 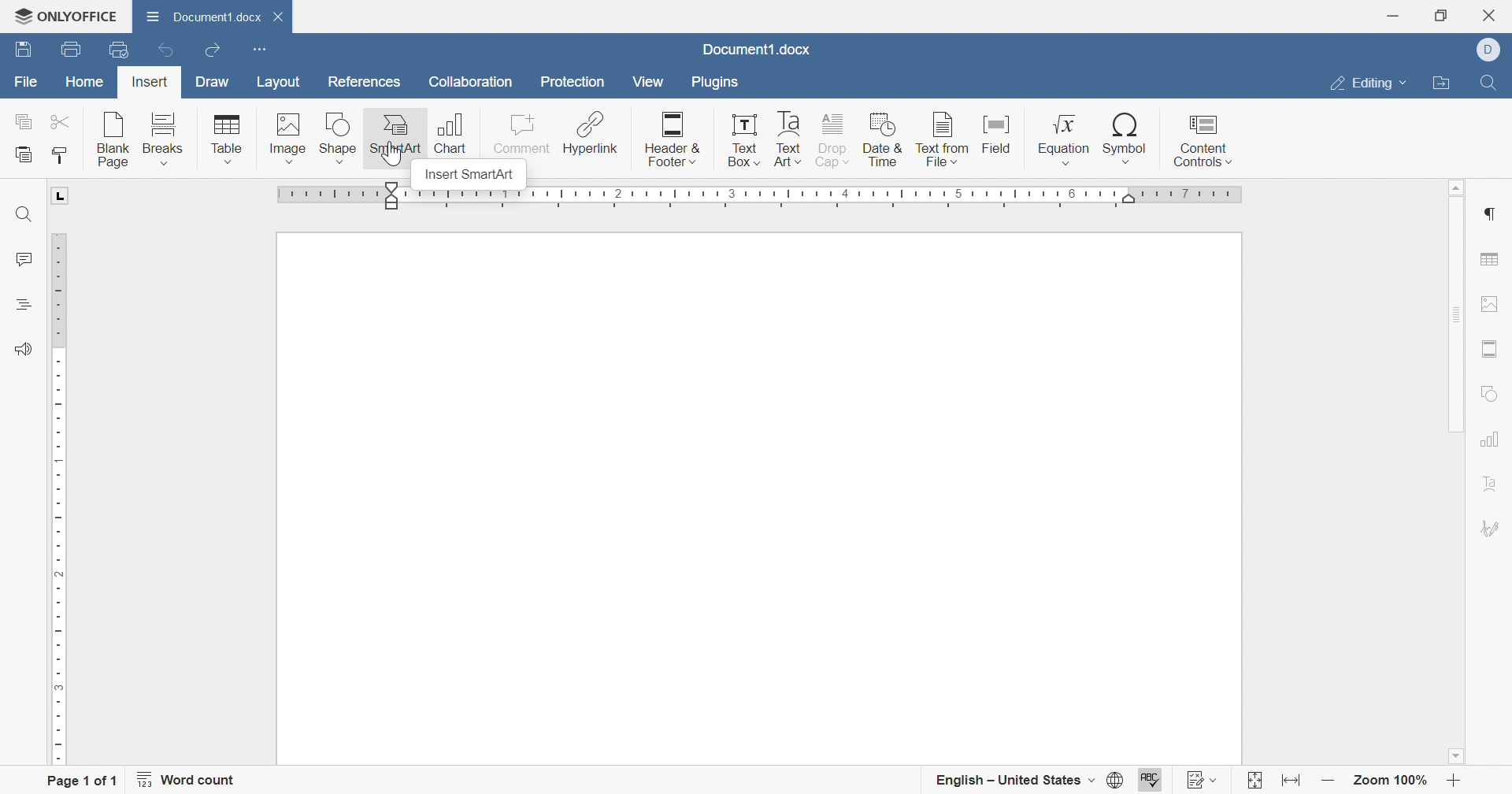 I want to click on Zoom in, so click(x=1454, y=781).